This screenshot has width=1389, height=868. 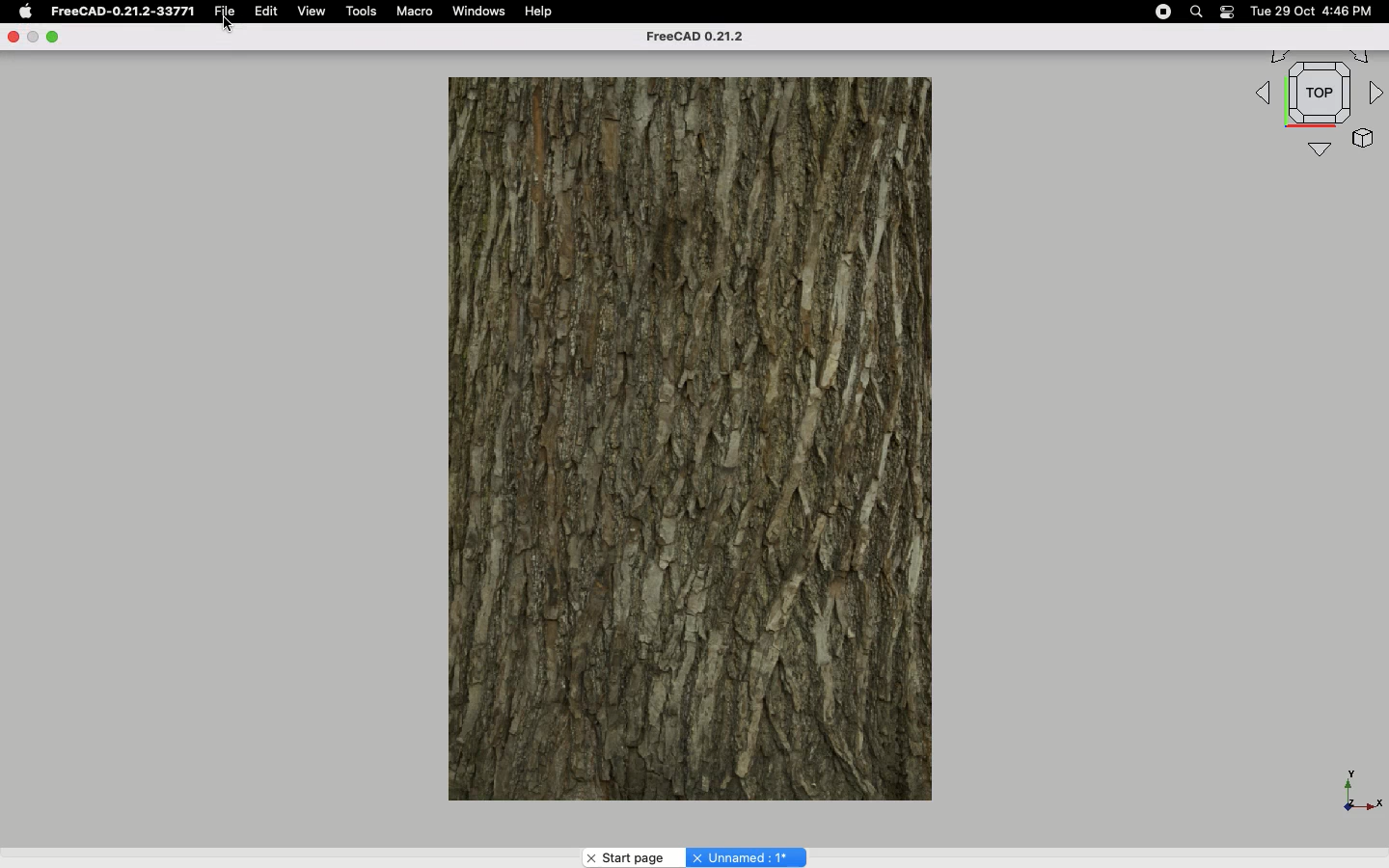 What do you see at coordinates (702, 39) in the screenshot?
I see `FreeCAD 0.21.2` at bounding box center [702, 39].